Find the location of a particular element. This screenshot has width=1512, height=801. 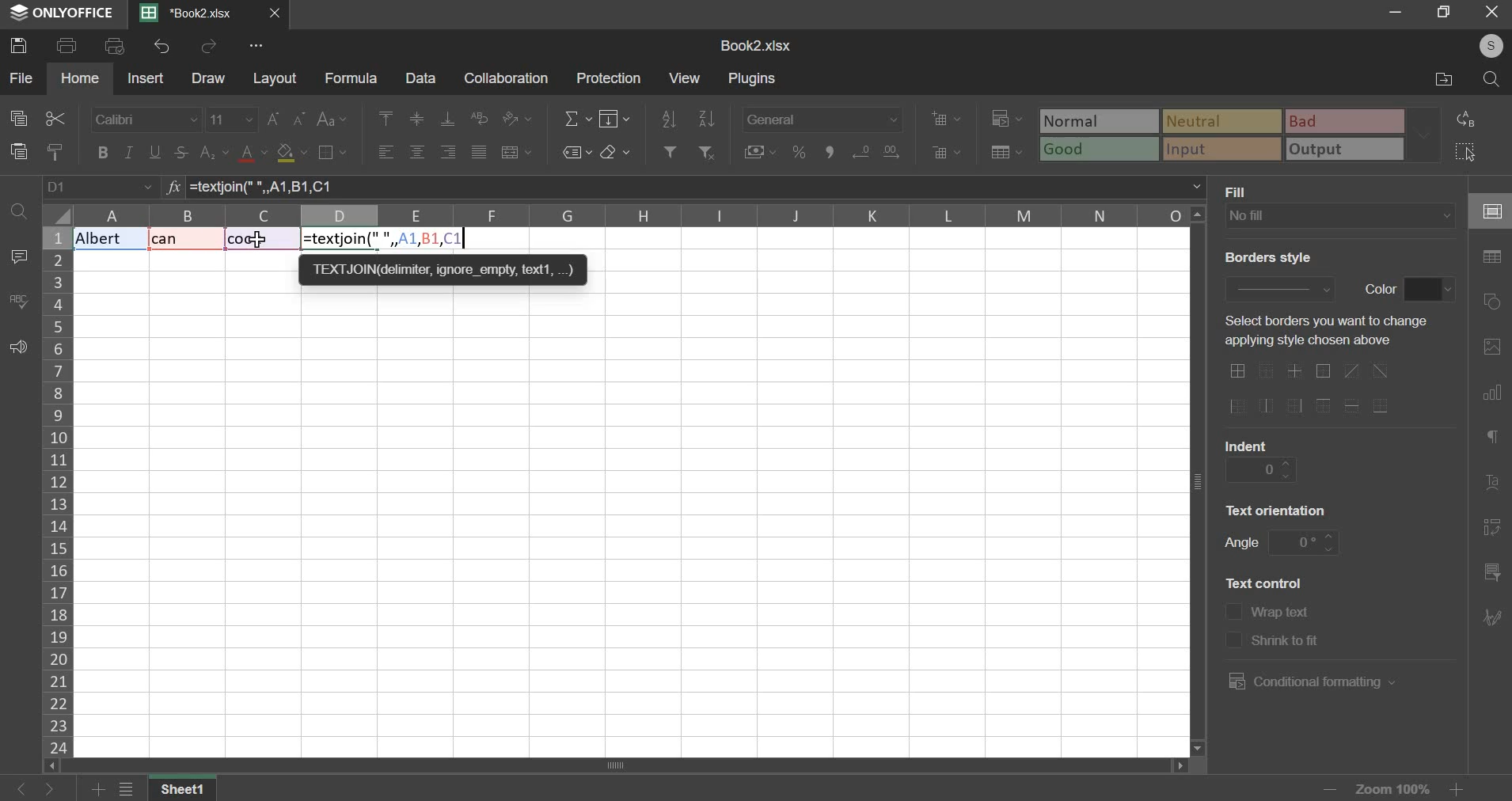

plugins is located at coordinates (754, 79).